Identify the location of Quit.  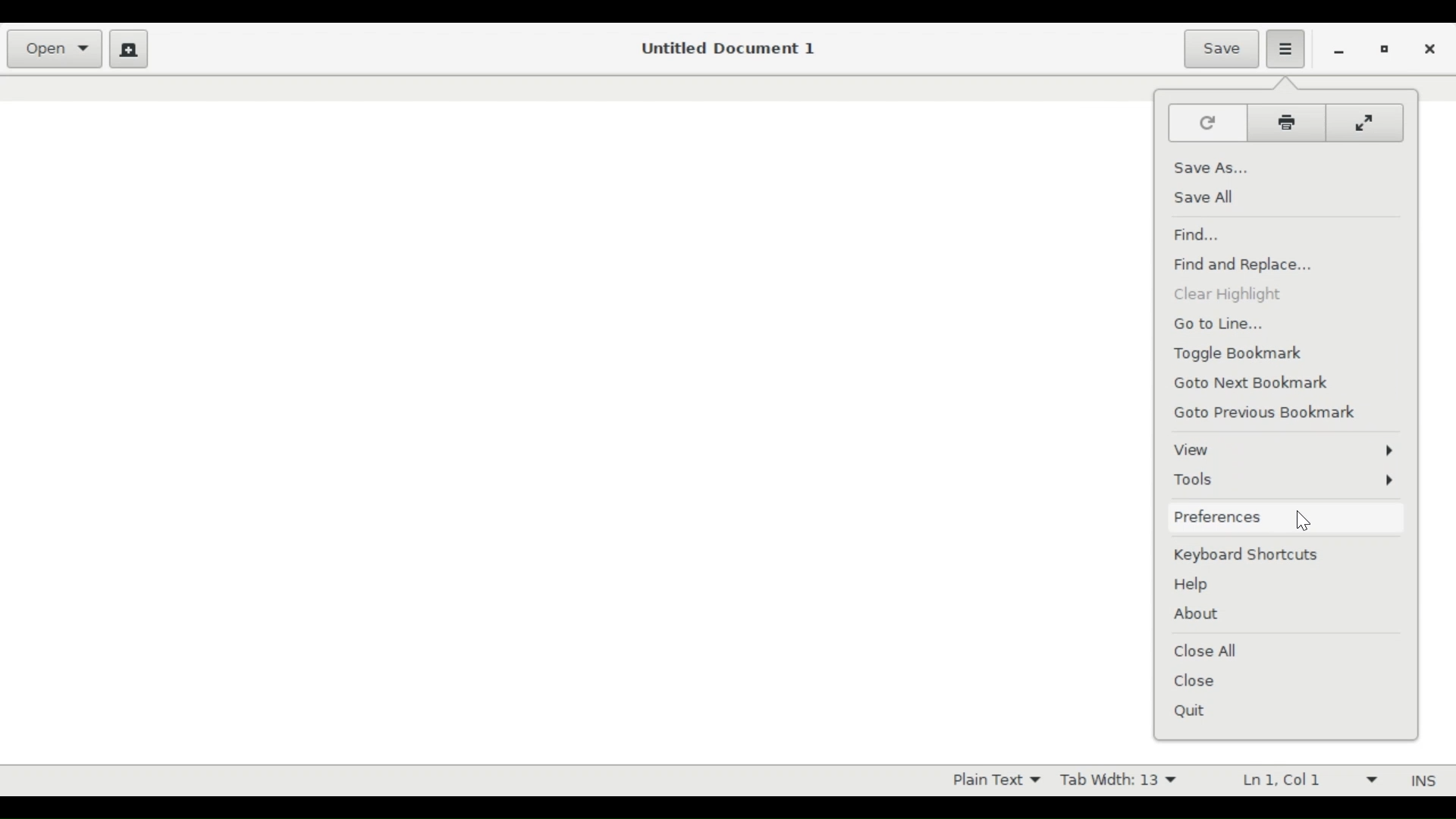
(1194, 713).